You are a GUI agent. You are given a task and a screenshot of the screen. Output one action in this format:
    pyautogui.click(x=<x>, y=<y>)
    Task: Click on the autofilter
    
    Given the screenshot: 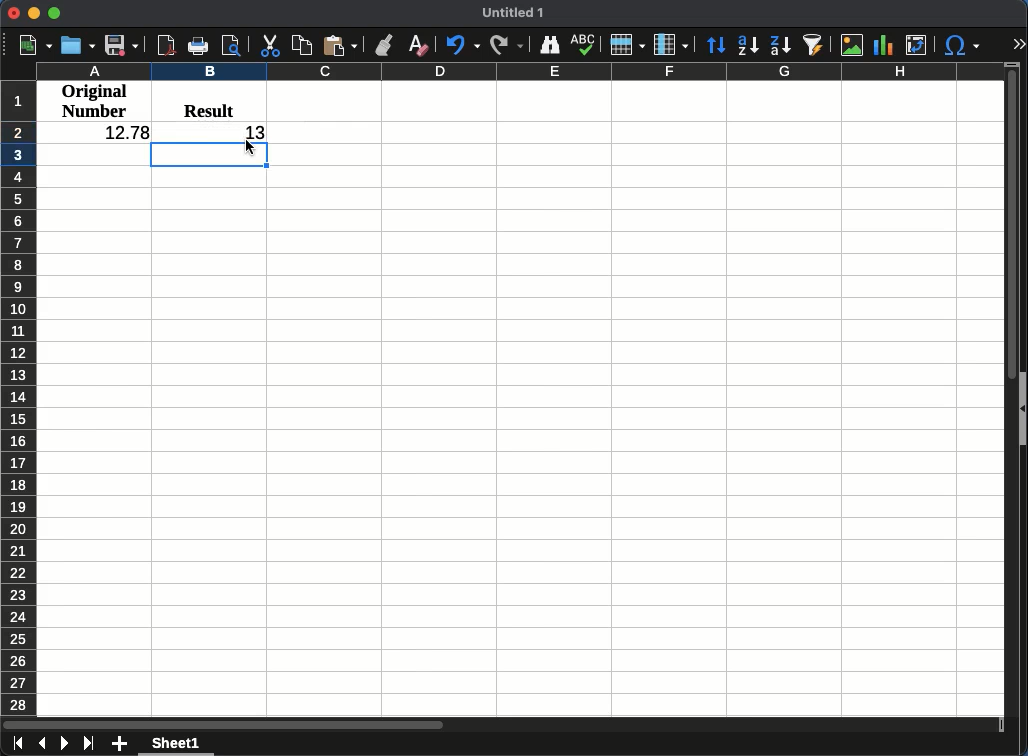 What is the action you would take?
    pyautogui.click(x=815, y=44)
    